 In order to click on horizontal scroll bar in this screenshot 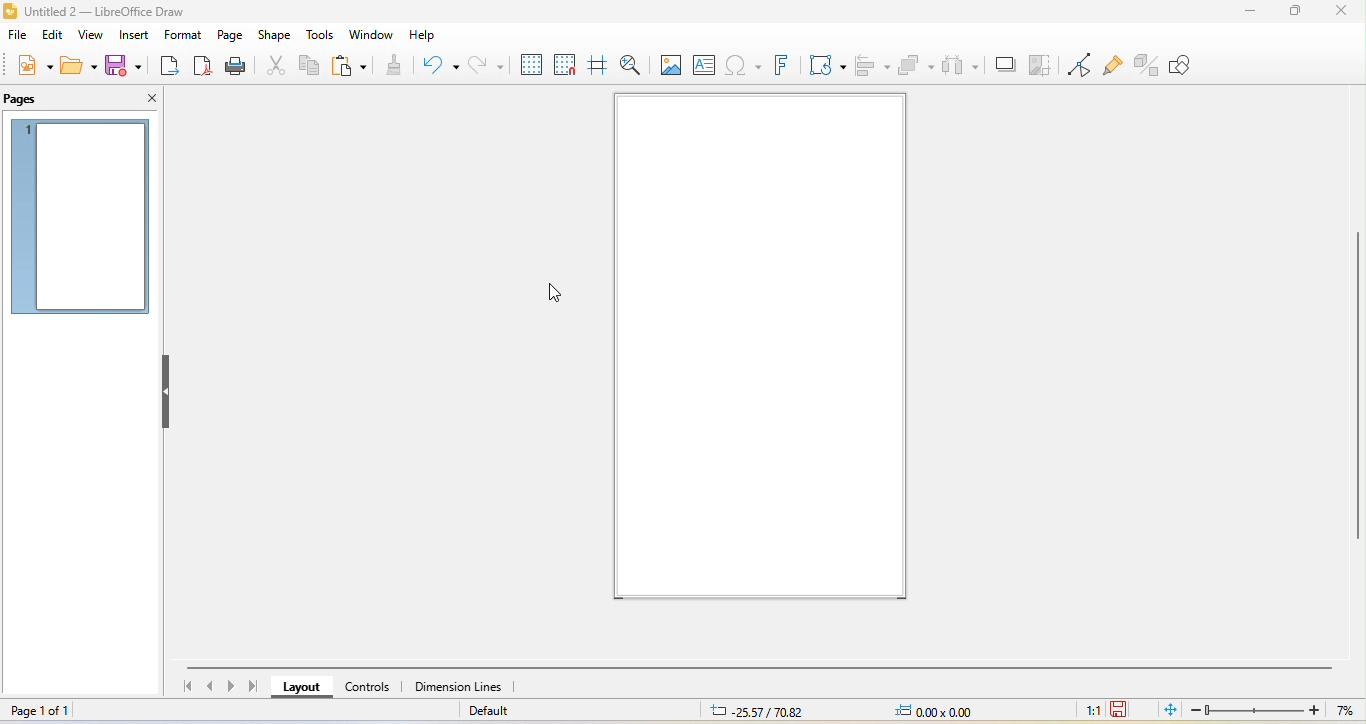, I will do `click(763, 665)`.